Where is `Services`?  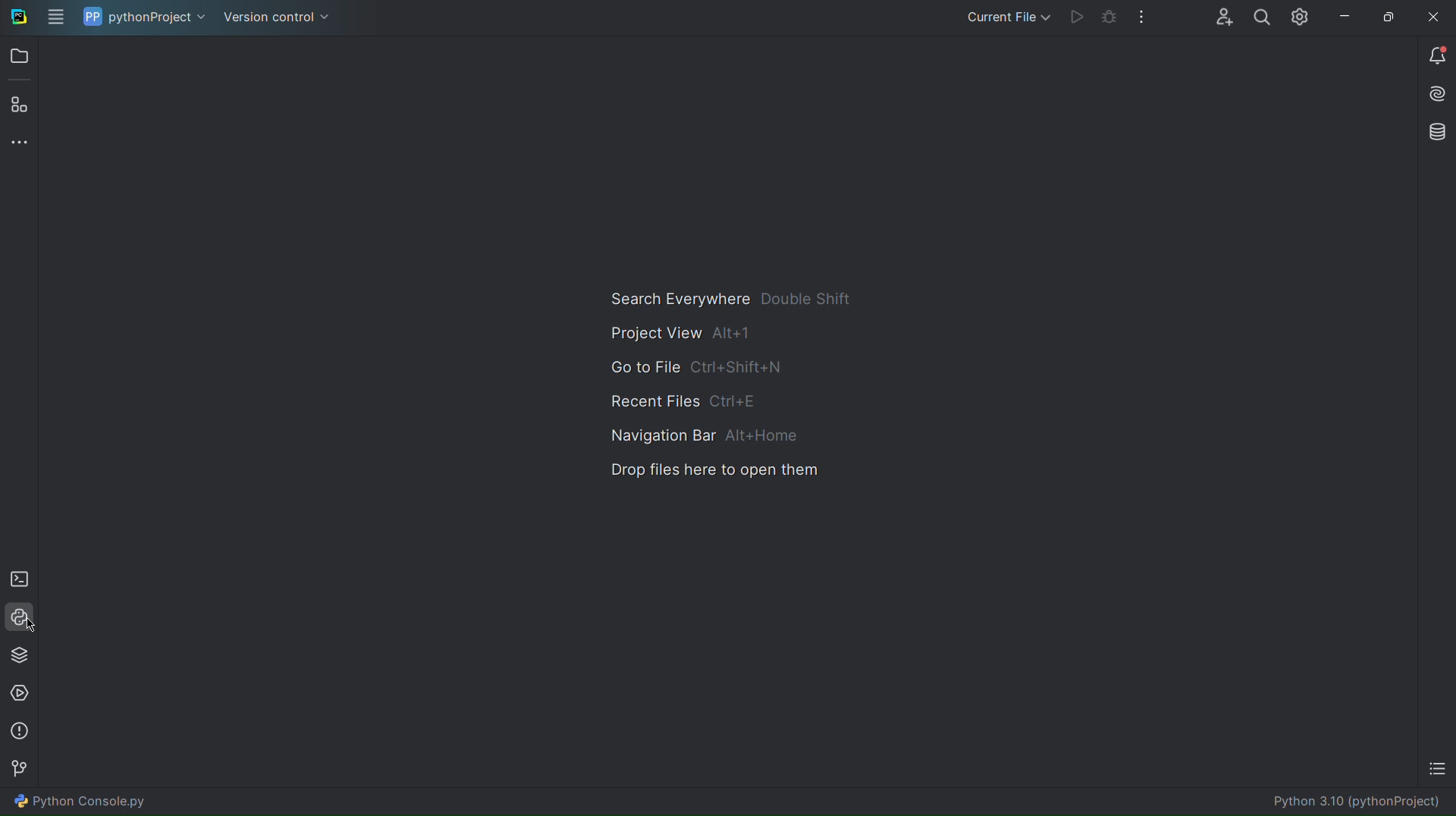 Services is located at coordinates (21, 692).